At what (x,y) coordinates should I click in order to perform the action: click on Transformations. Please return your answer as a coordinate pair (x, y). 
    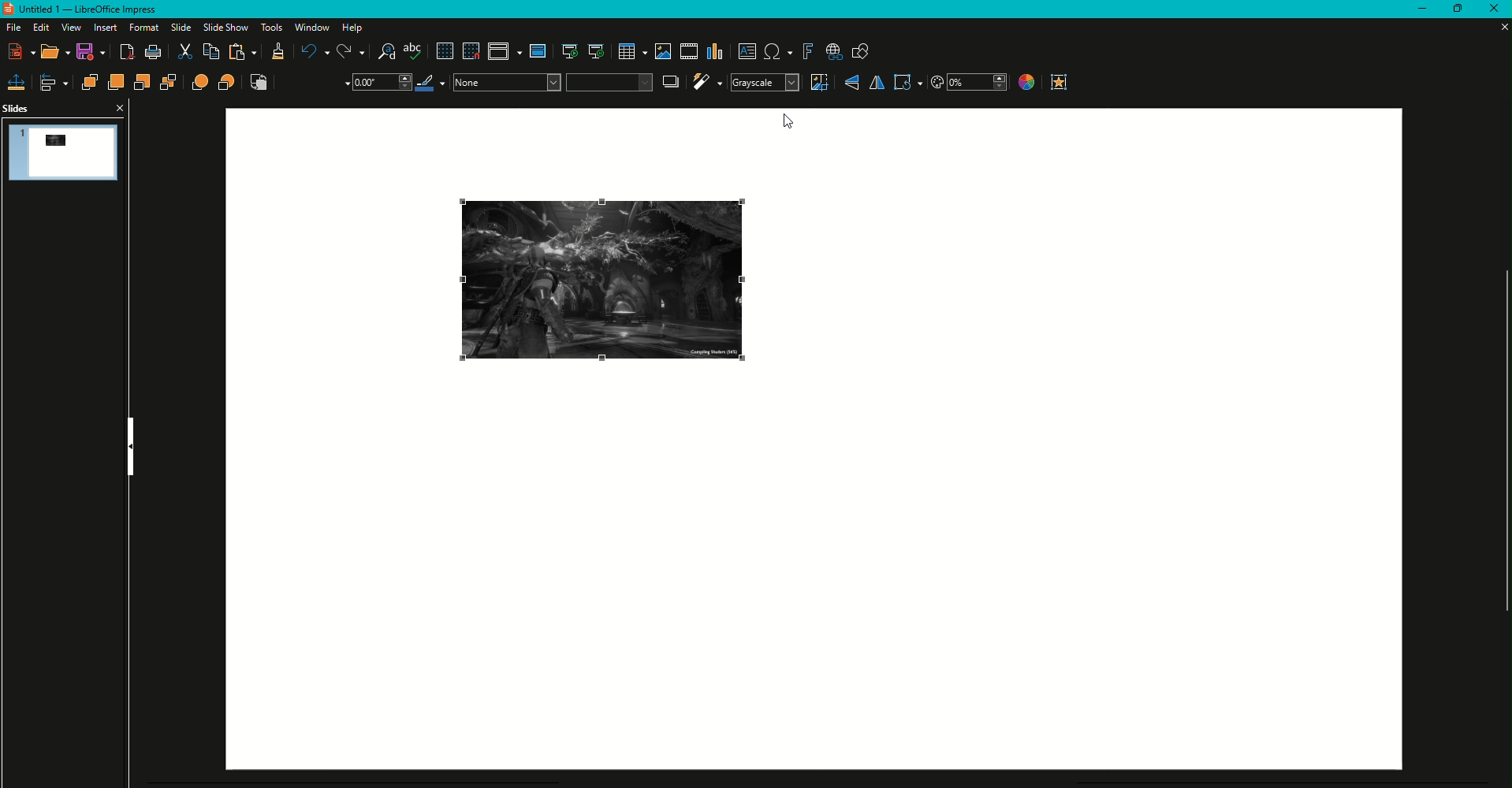
    Looking at the image, I should click on (907, 82).